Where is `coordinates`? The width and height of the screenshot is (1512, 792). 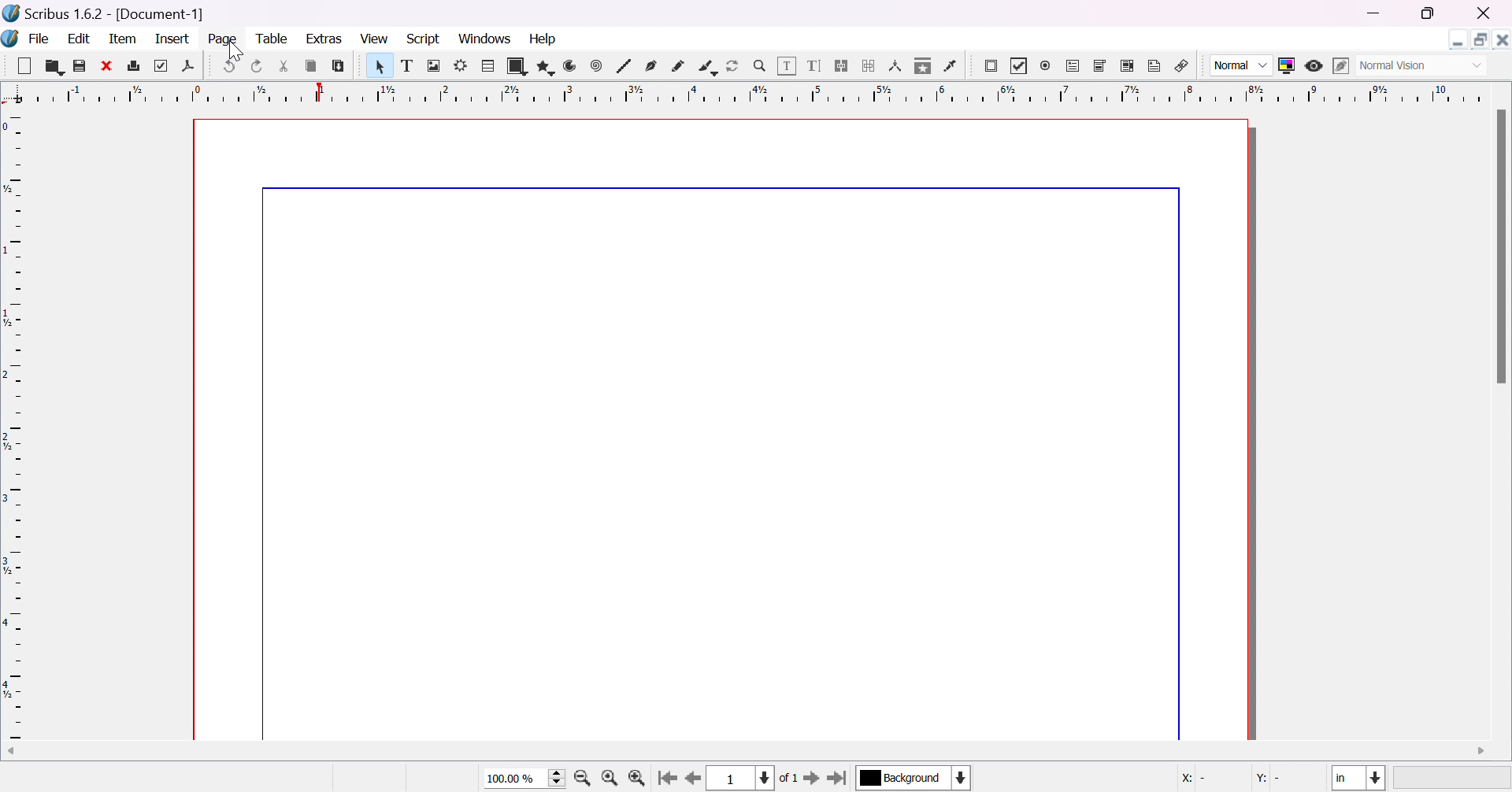 coordinates is located at coordinates (1236, 780).